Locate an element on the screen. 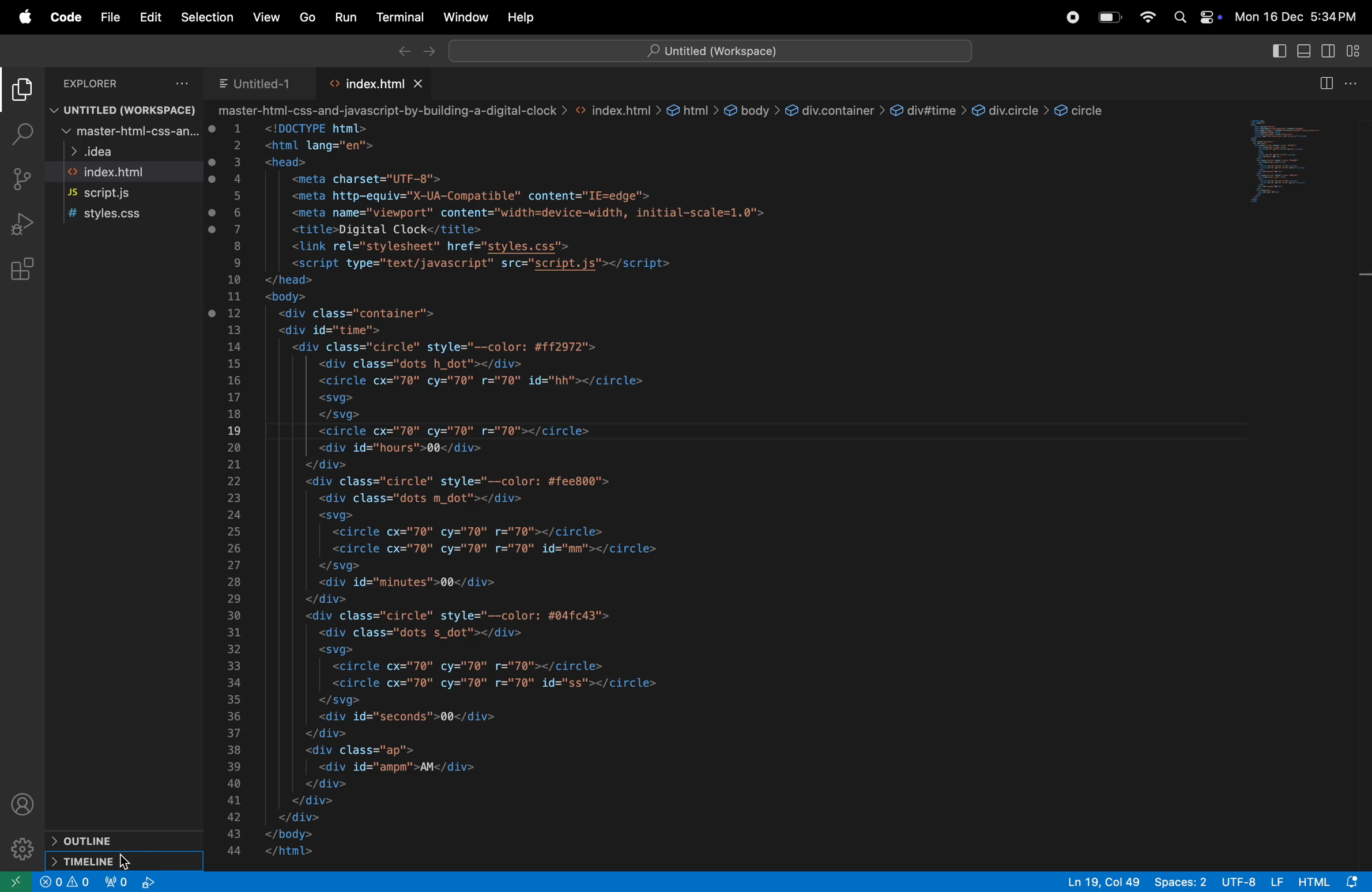 The width and height of the screenshot is (1372, 892). Mon 16 Dec 5:34 PM is located at coordinates (1301, 16).